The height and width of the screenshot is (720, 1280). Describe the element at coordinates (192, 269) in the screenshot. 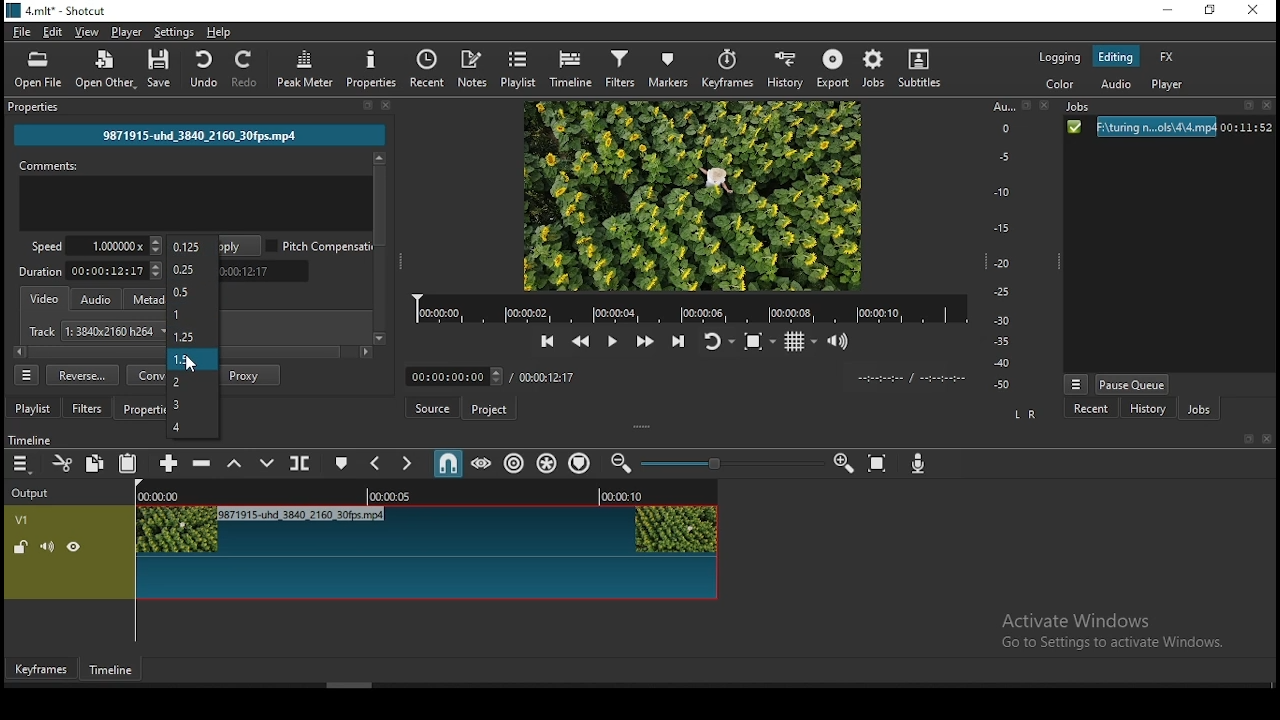

I see `0.25` at that location.